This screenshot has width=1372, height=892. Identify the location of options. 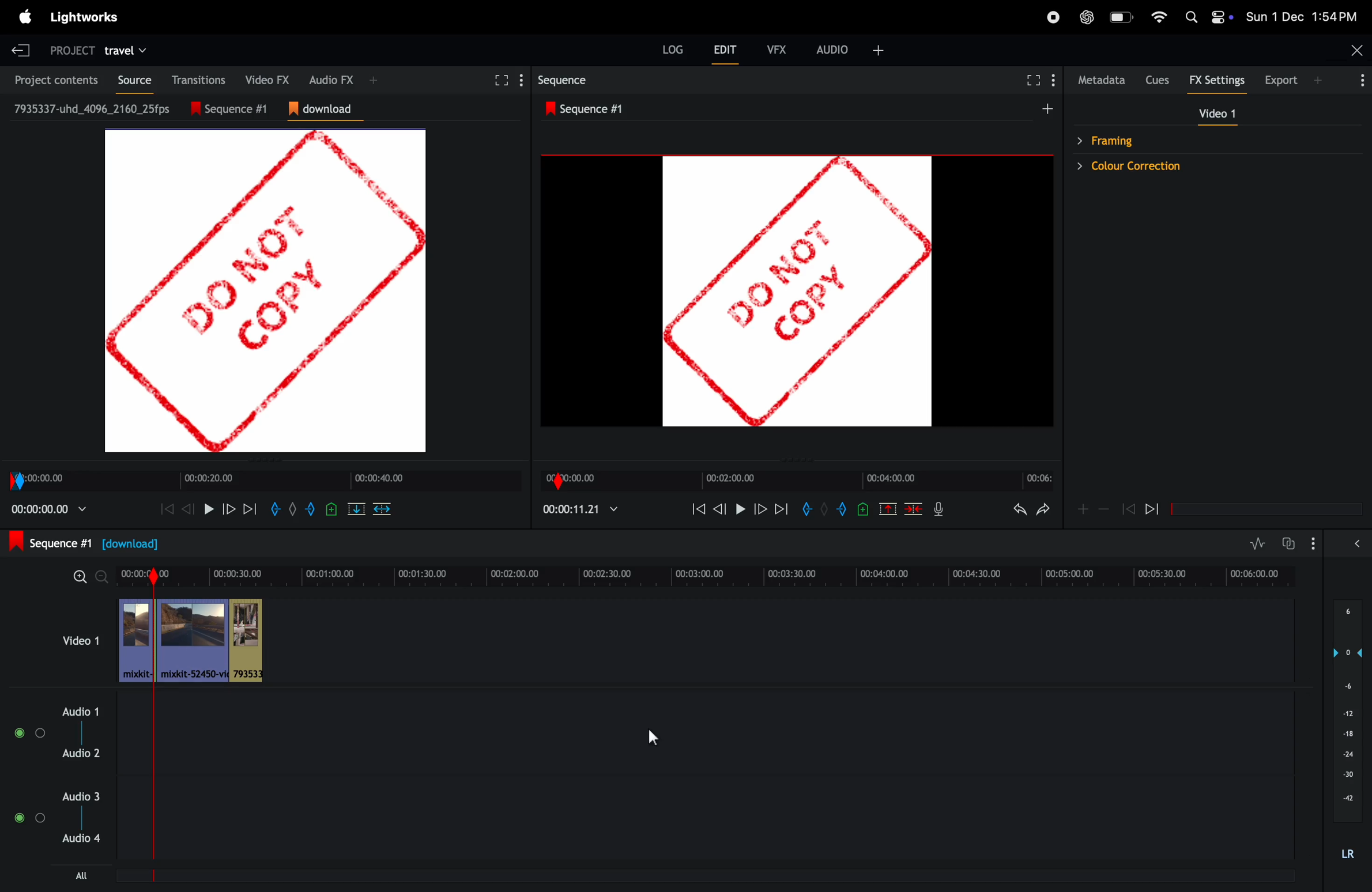
(1359, 80).